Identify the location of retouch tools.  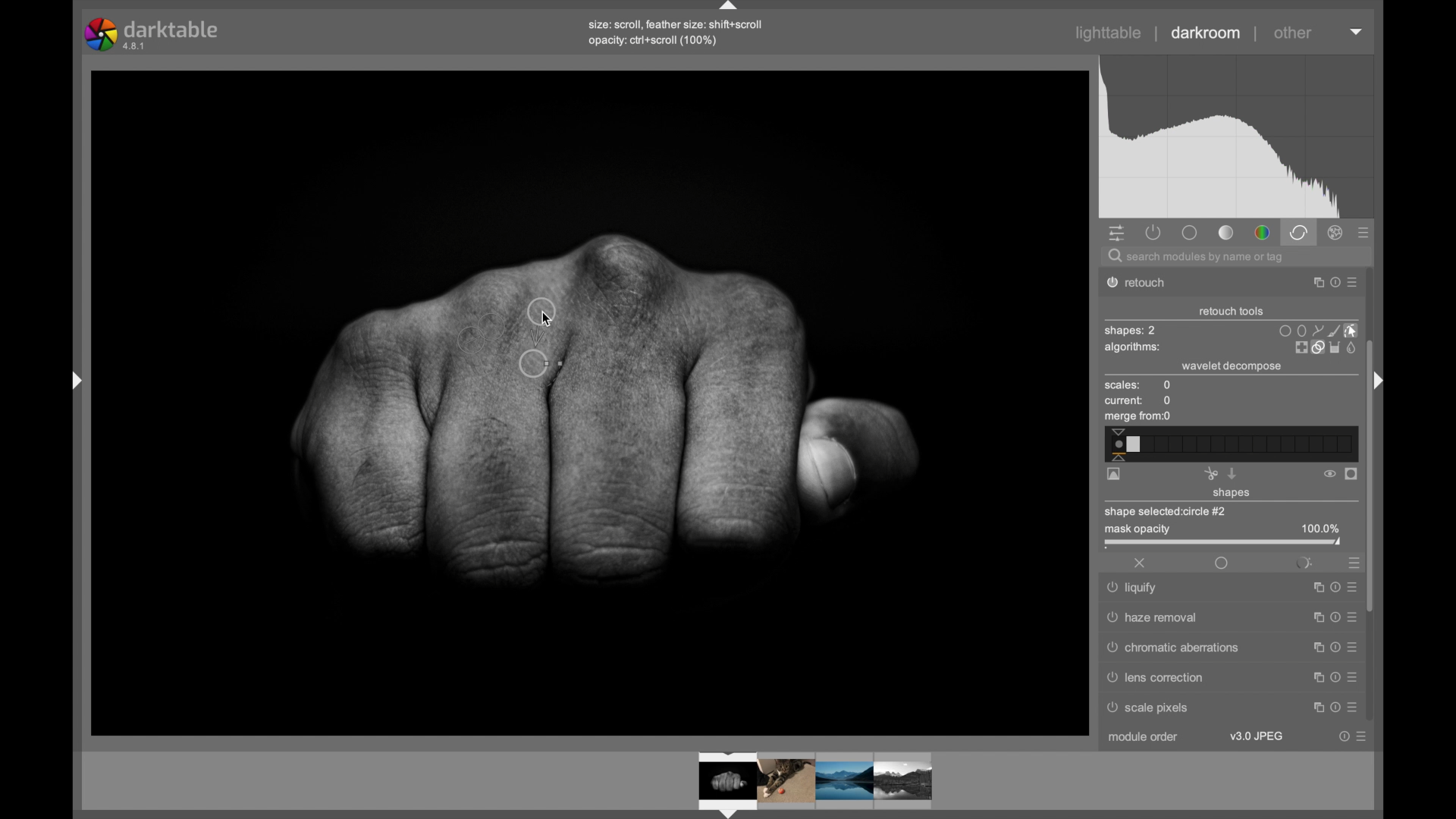
(1232, 312).